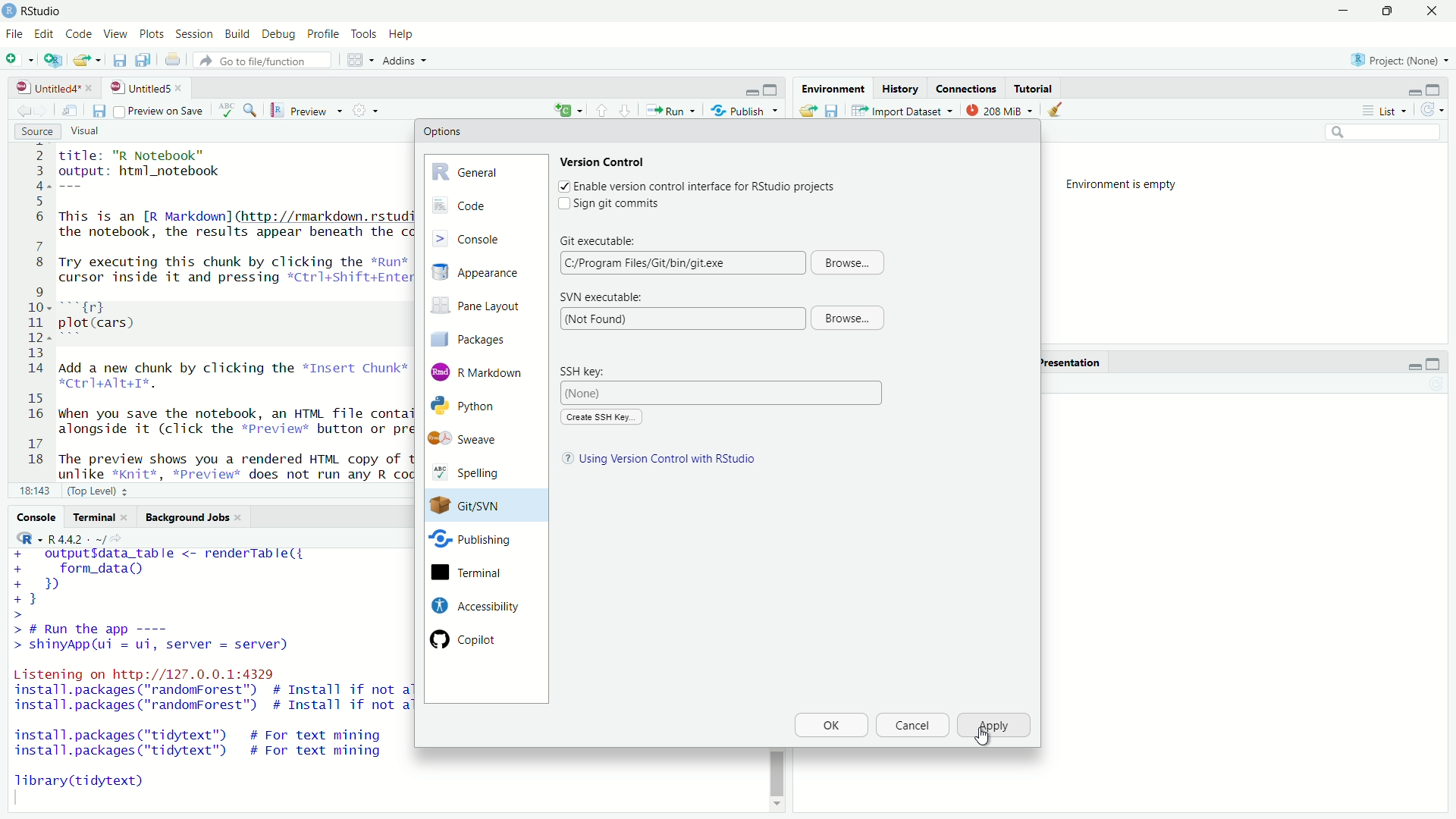  What do you see at coordinates (589, 371) in the screenshot?
I see `SSH key:` at bounding box center [589, 371].